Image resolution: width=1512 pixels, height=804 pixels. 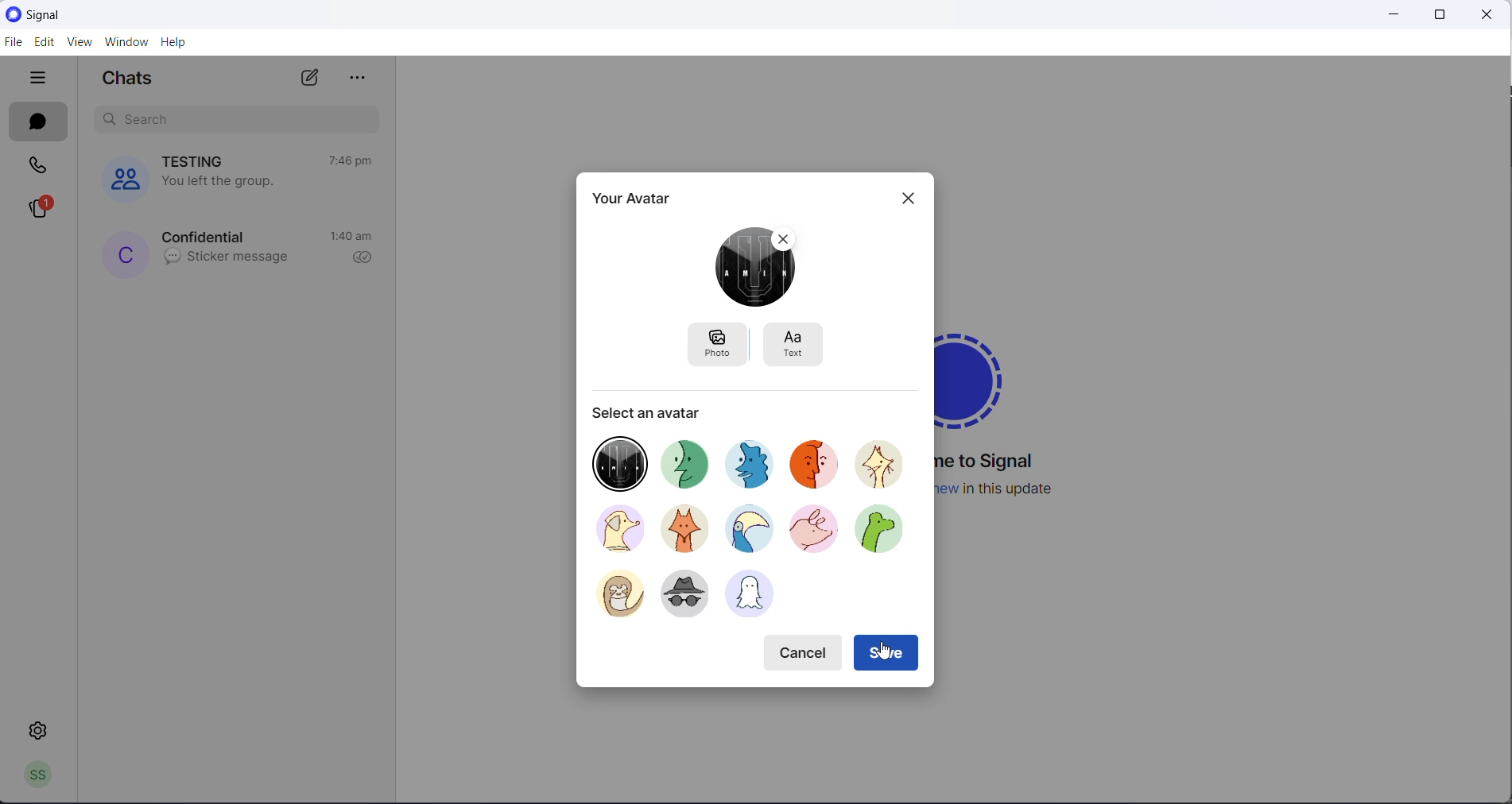 I want to click on last message, so click(x=226, y=258).